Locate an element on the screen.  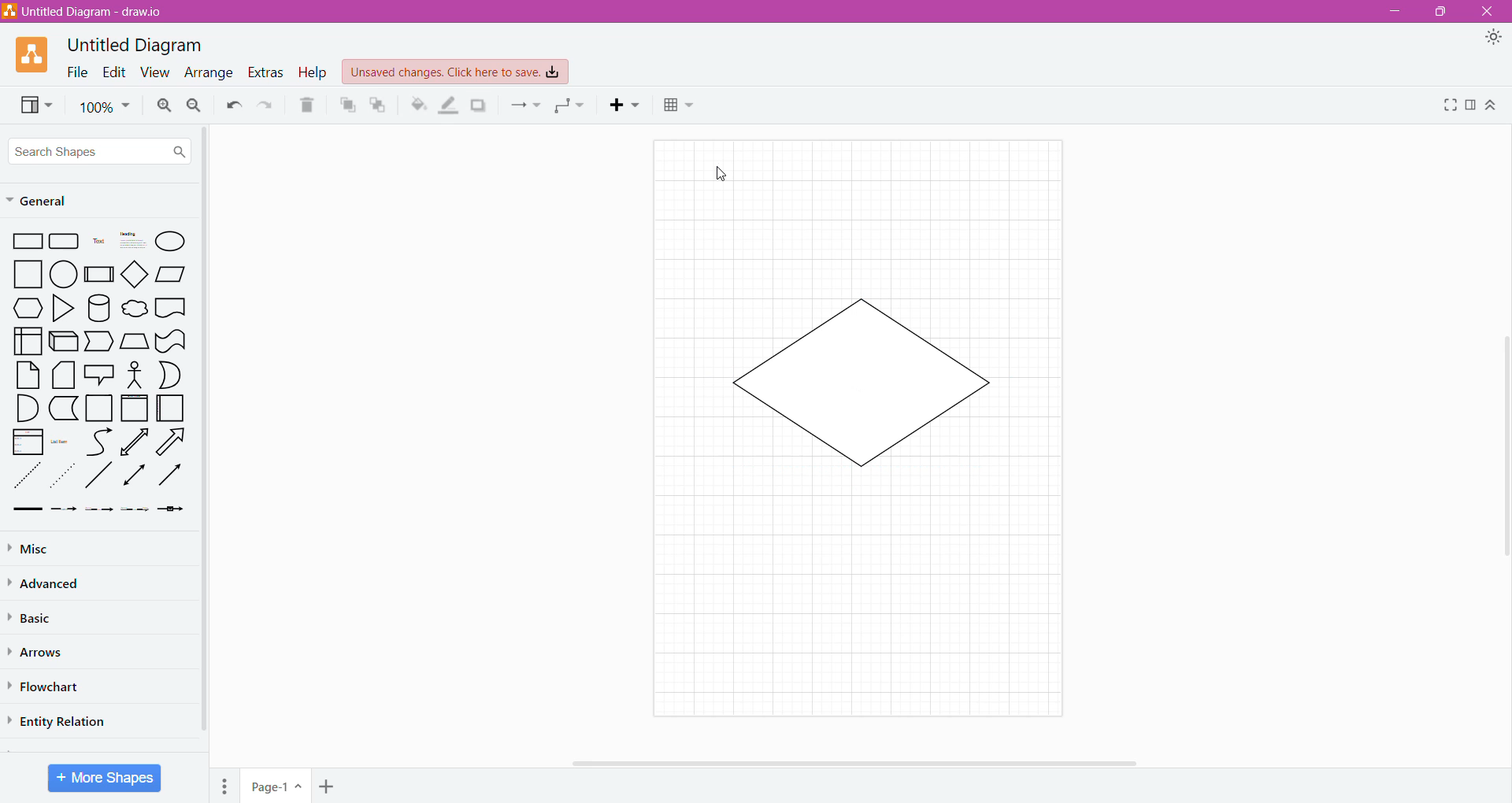
Cylinder is located at coordinates (99, 309).